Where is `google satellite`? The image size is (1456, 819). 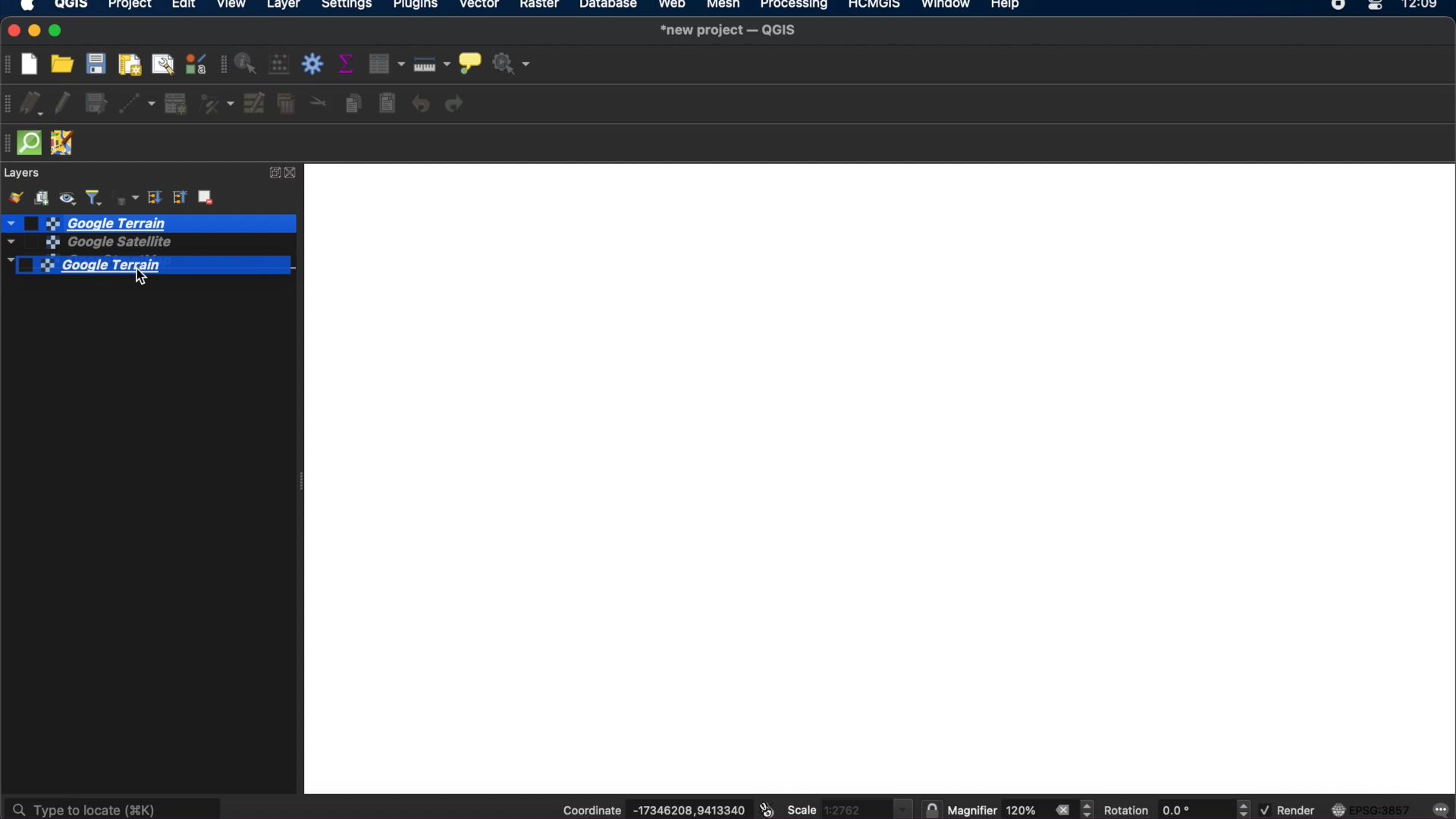 google satellite is located at coordinates (85, 243).